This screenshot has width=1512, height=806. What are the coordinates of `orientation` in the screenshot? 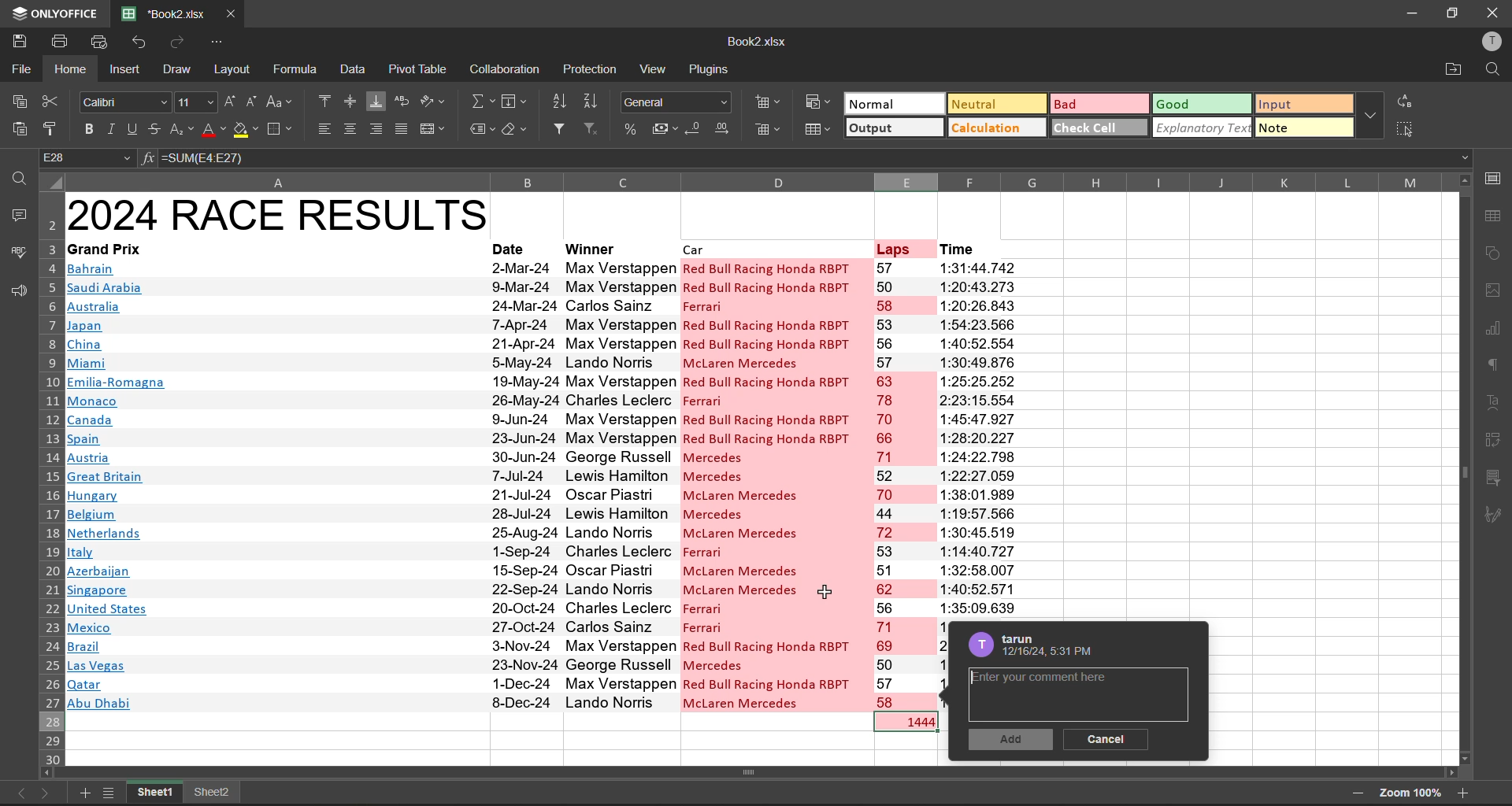 It's located at (434, 103).